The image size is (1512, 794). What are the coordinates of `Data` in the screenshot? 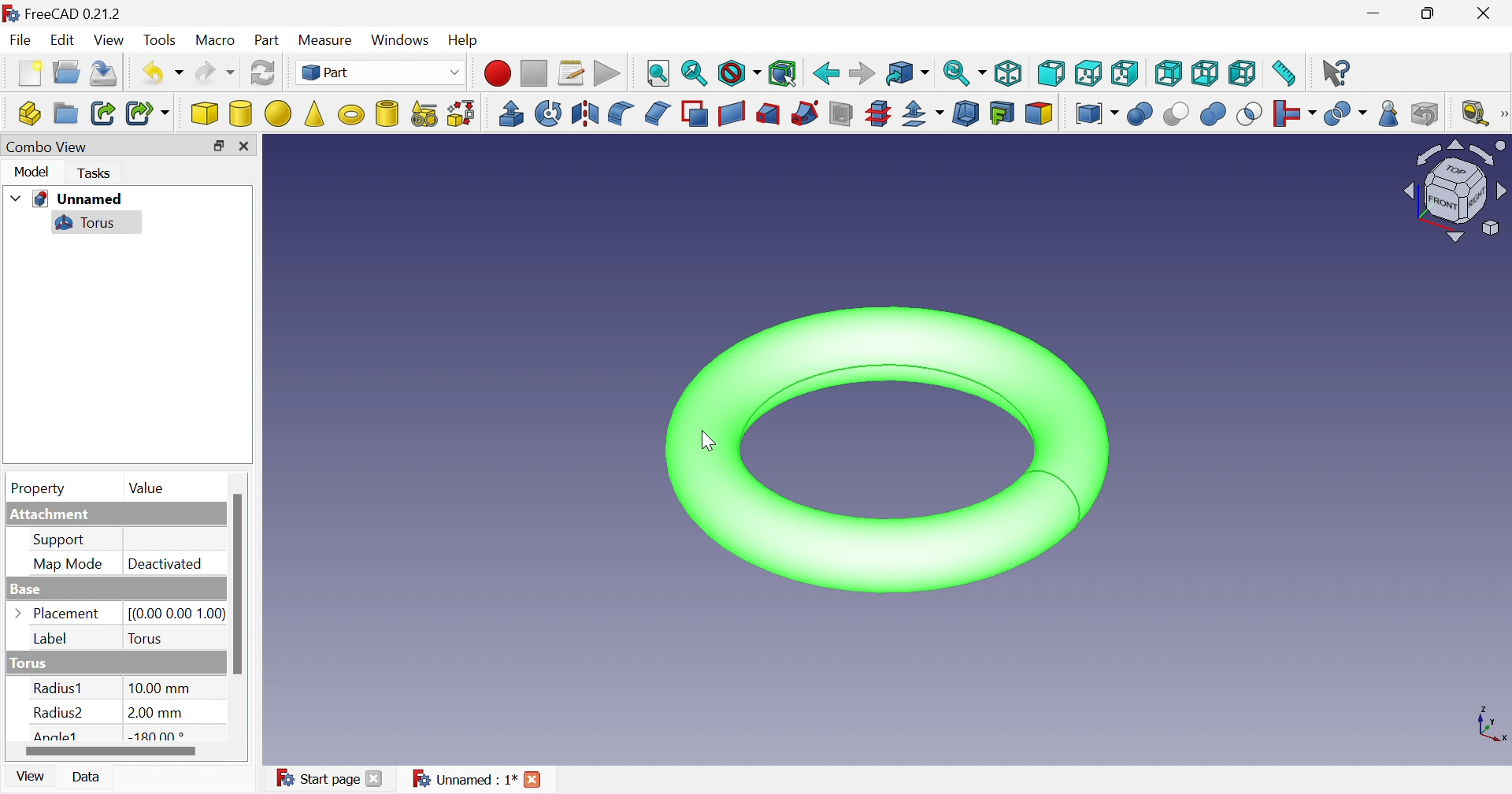 It's located at (89, 777).